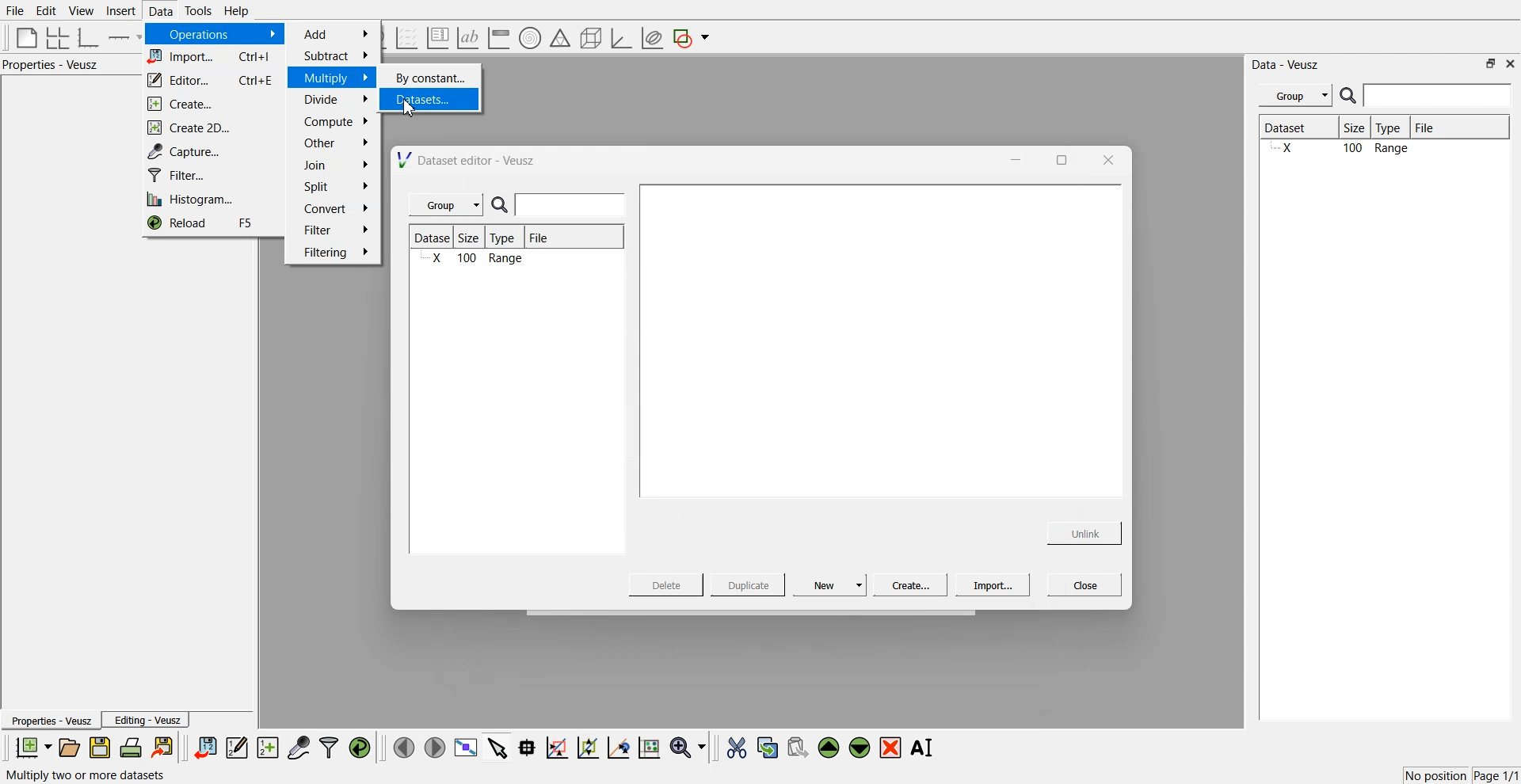 The height and width of the screenshot is (784, 1521). Describe the element at coordinates (649, 748) in the screenshot. I see `reset the graph axes` at that location.